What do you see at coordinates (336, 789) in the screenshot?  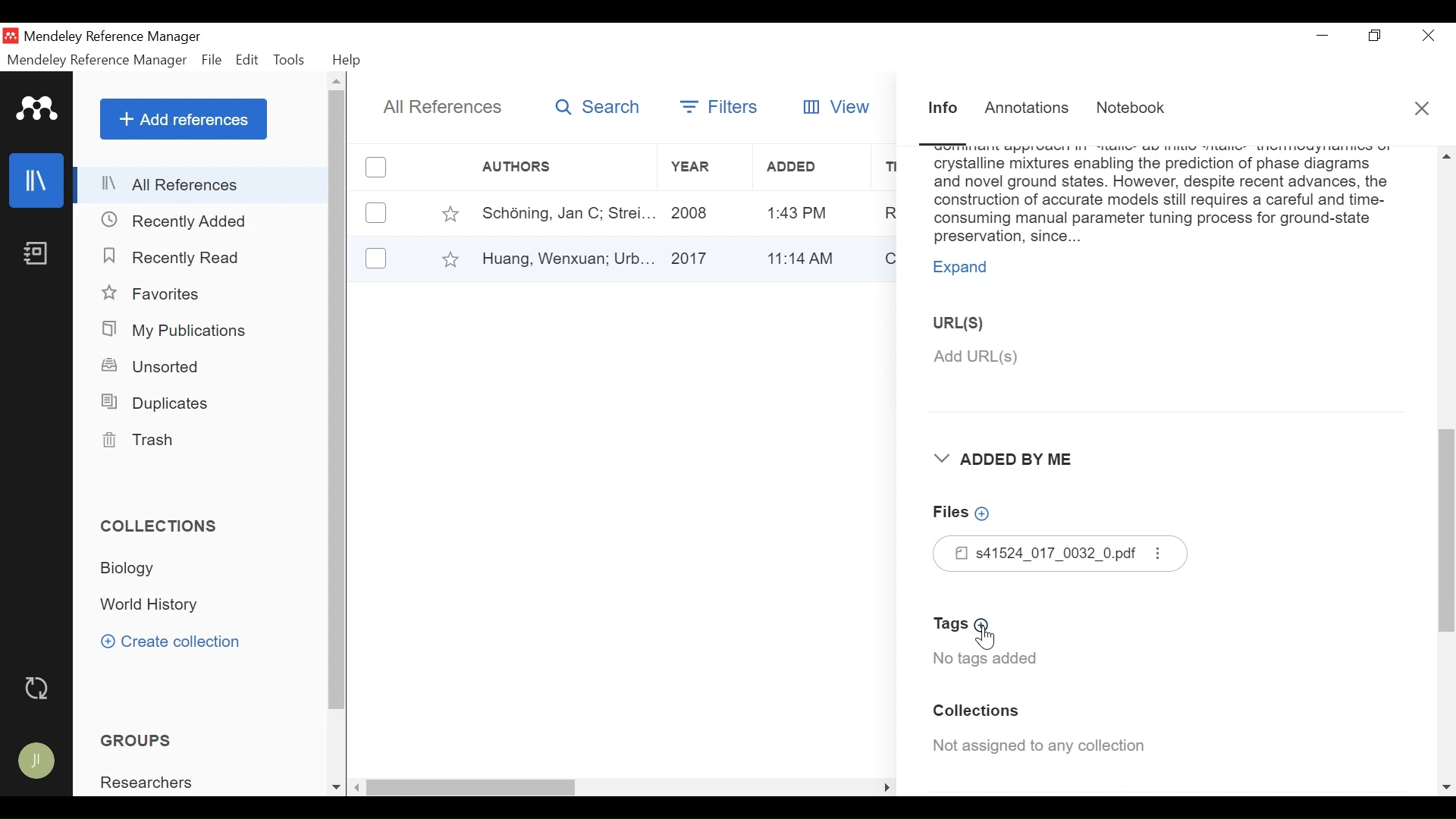 I see `Scroll down` at bounding box center [336, 789].